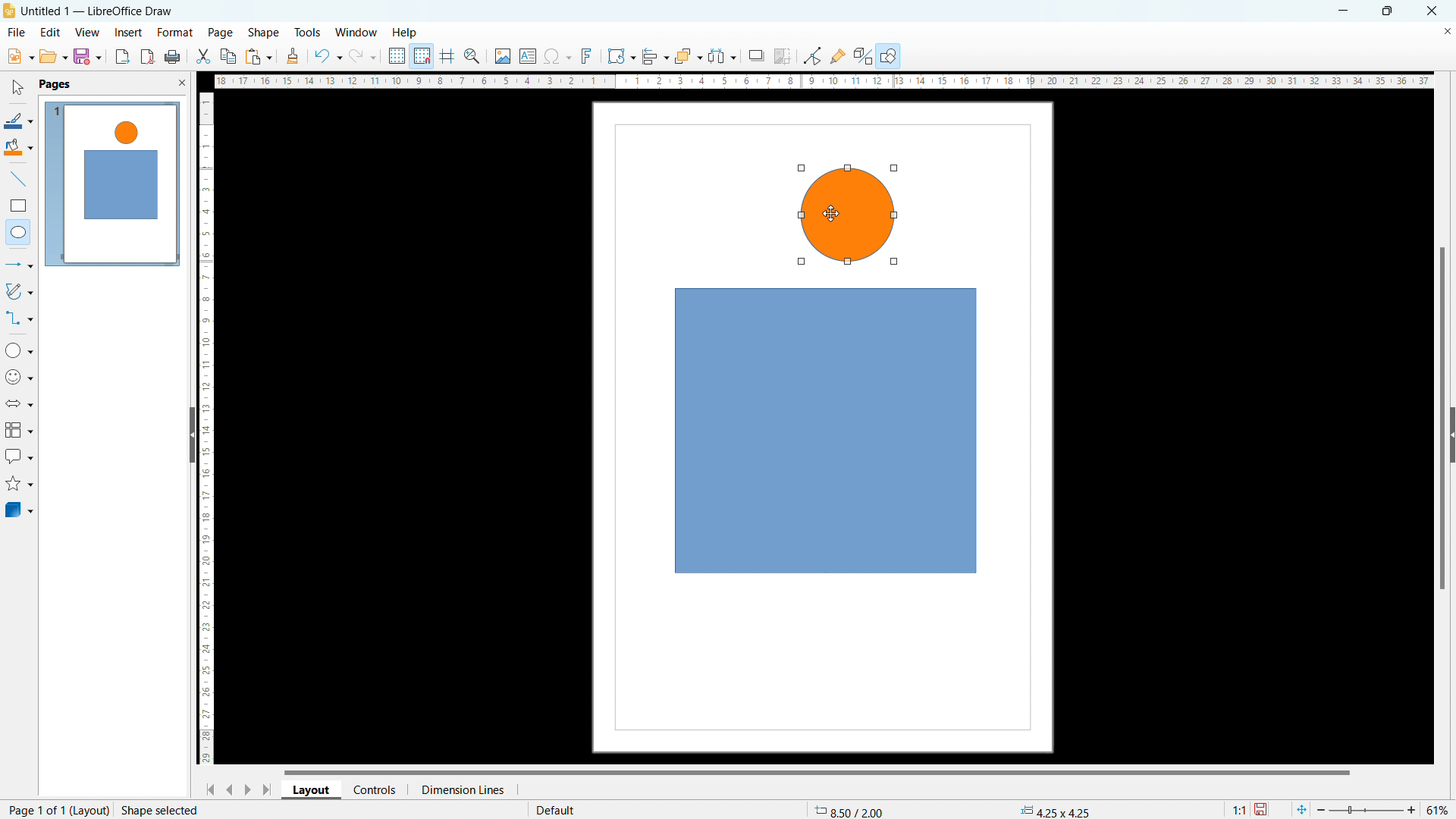 This screenshot has width=1456, height=819. Describe the element at coordinates (1323, 808) in the screenshot. I see `zoom i=out` at that location.